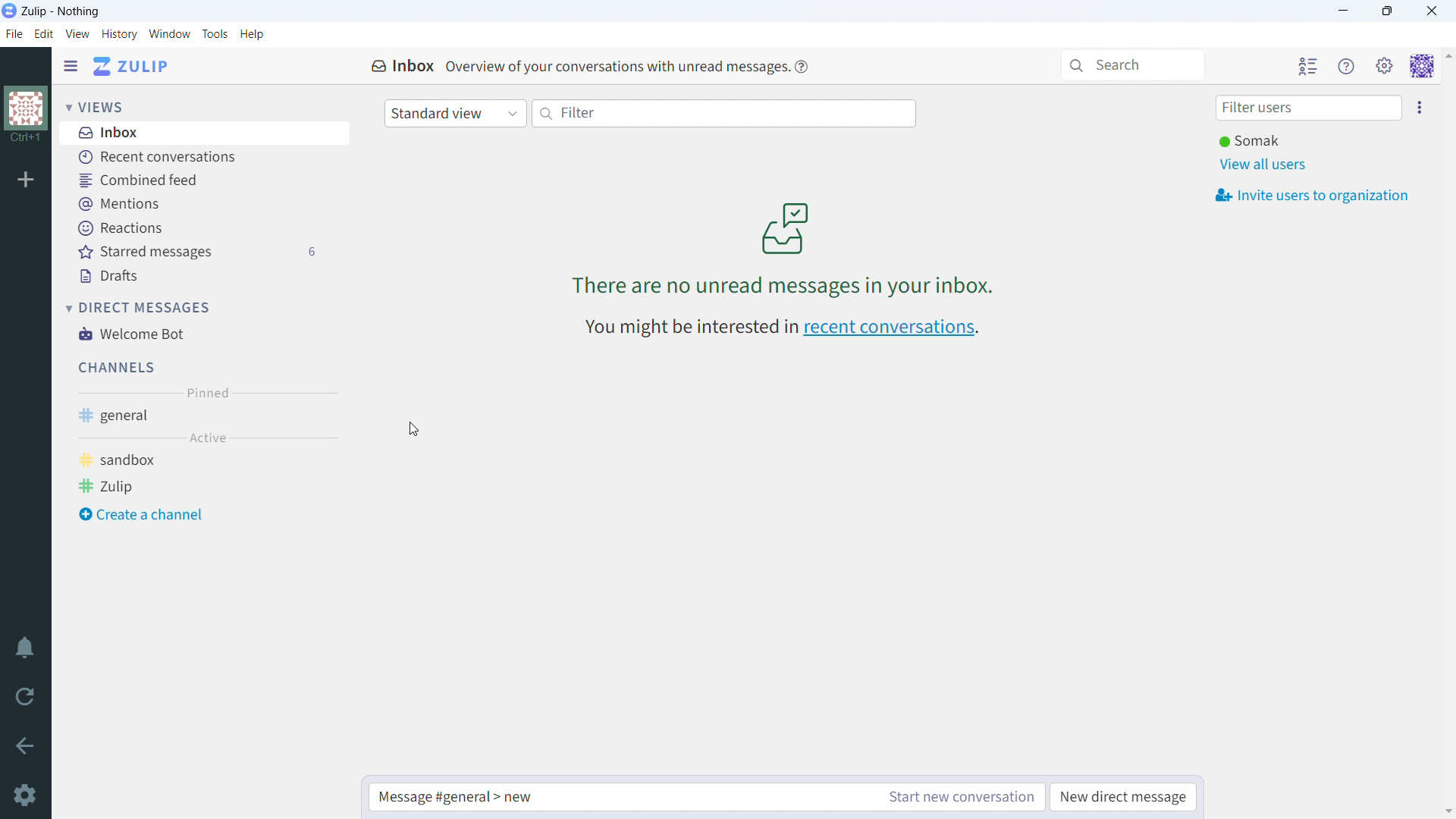 This screenshot has width=1456, height=819. What do you see at coordinates (1347, 66) in the screenshot?
I see `helpn menu` at bounding box center [1347, 66].